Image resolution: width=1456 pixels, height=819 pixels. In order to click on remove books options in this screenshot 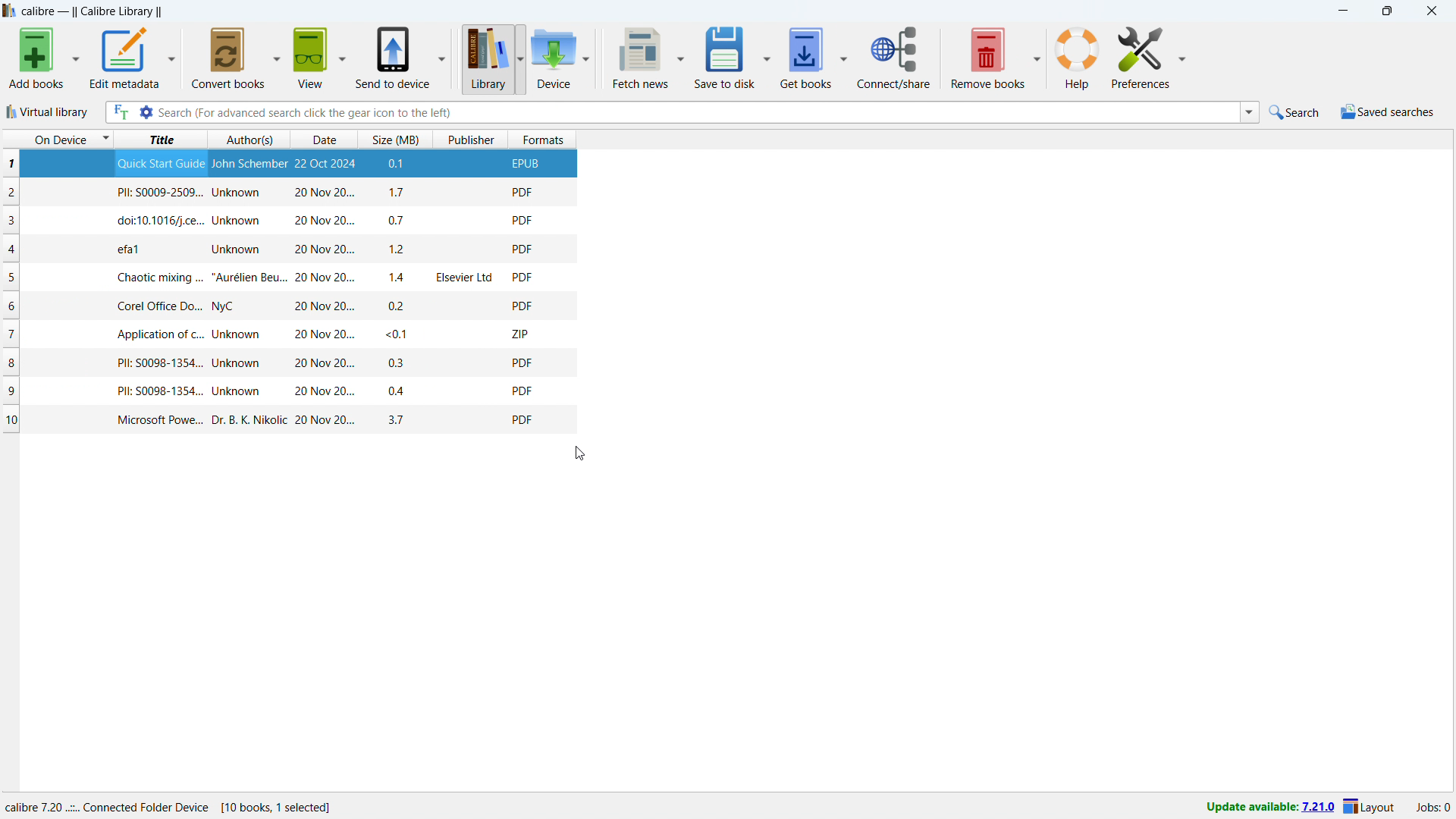, I will do `click(1037, 60)`.